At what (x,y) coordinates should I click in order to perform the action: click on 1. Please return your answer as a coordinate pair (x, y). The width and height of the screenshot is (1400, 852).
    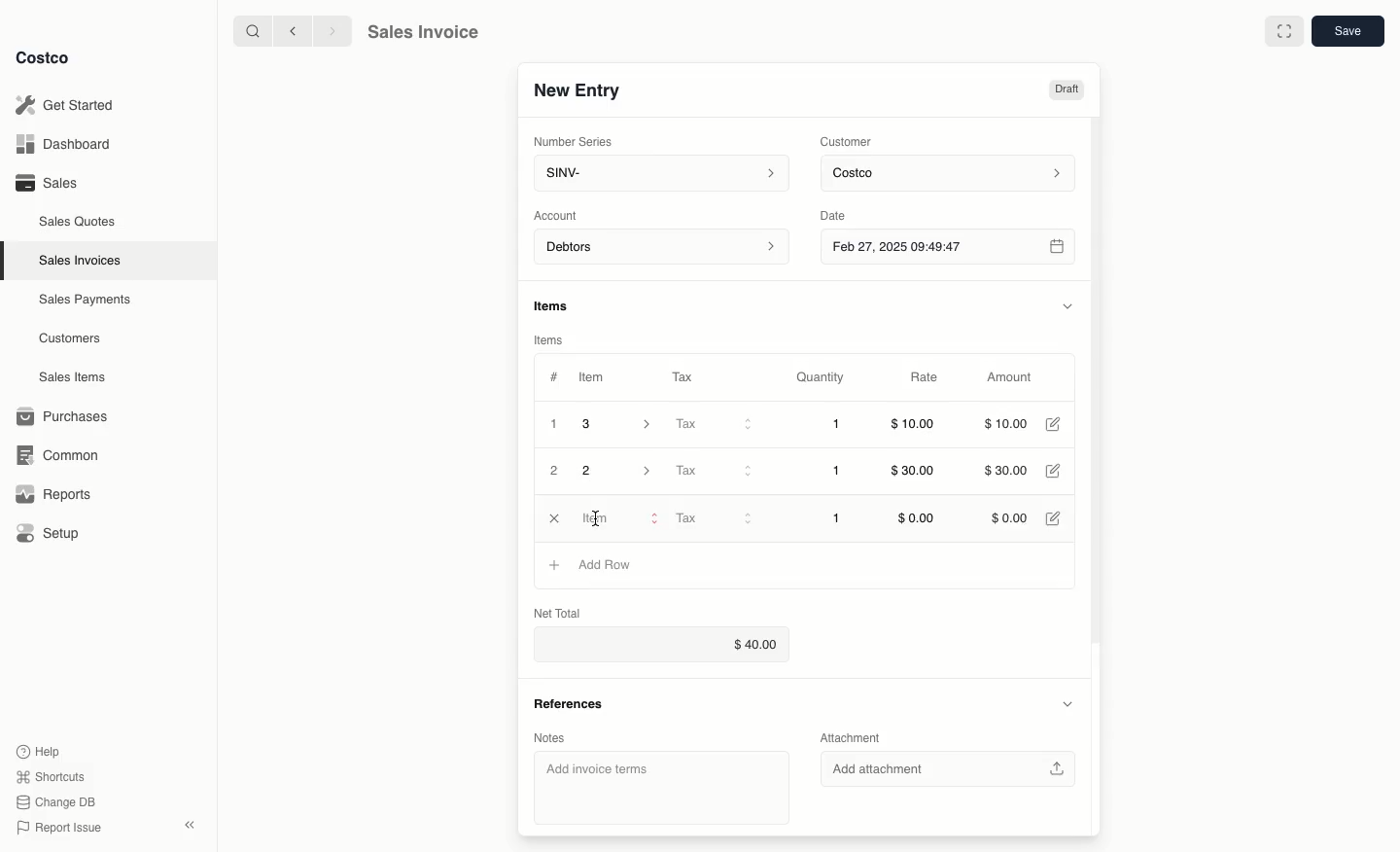
    Looking at the image, I should click on (554, 424).